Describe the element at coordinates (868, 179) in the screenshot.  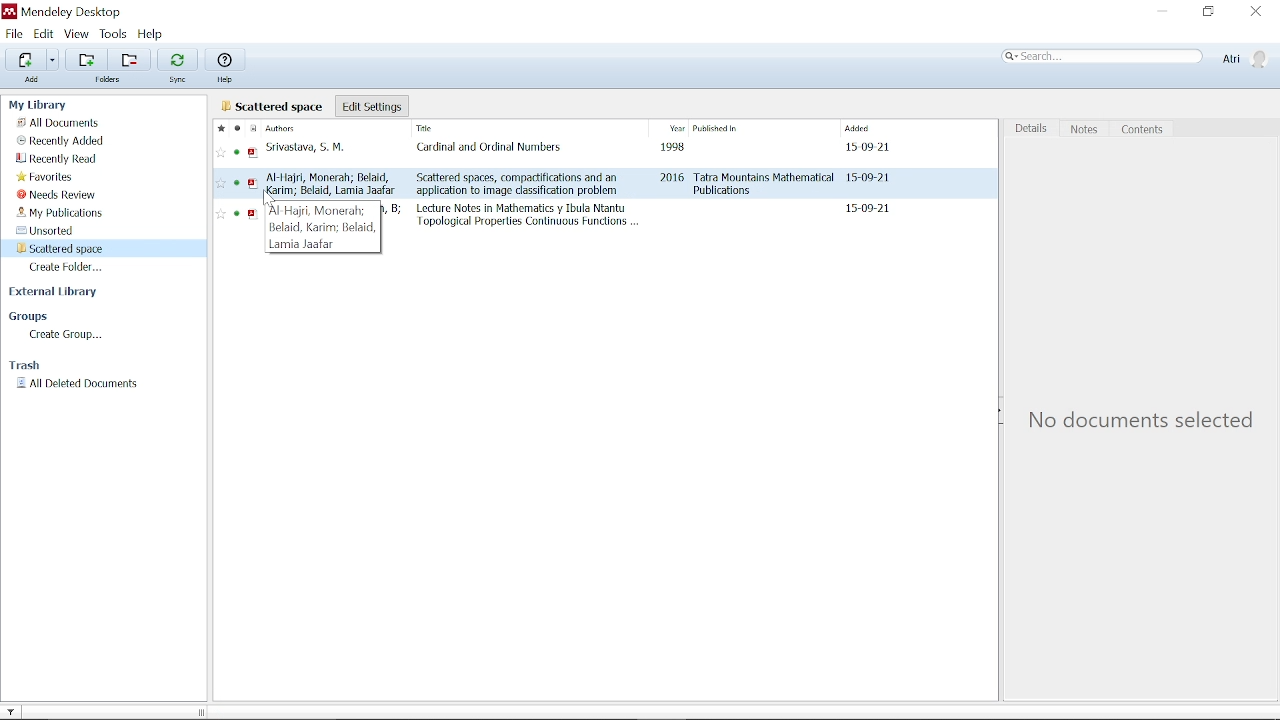
I see `date` at that location.